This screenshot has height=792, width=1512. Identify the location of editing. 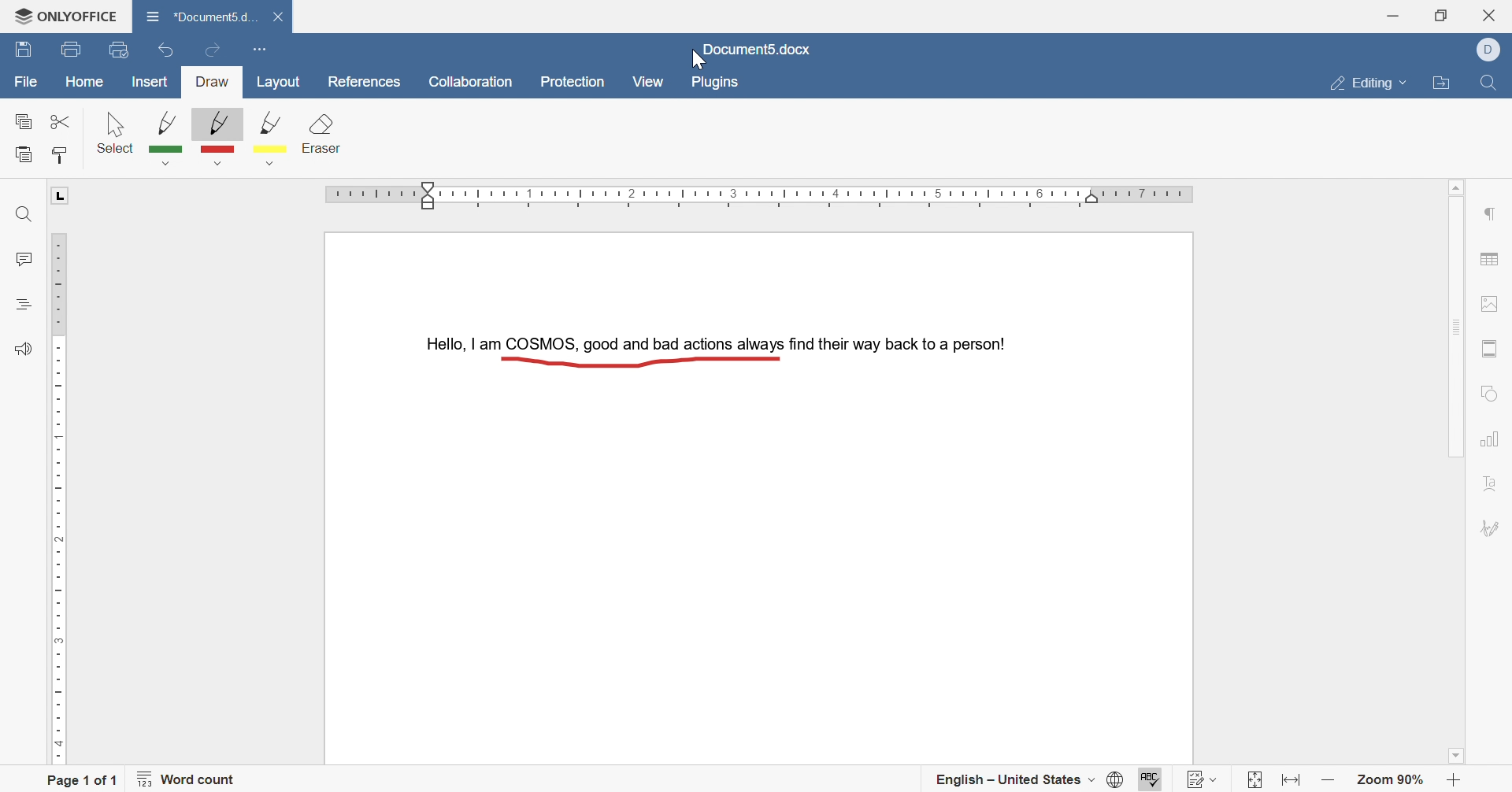
(1369, 81).